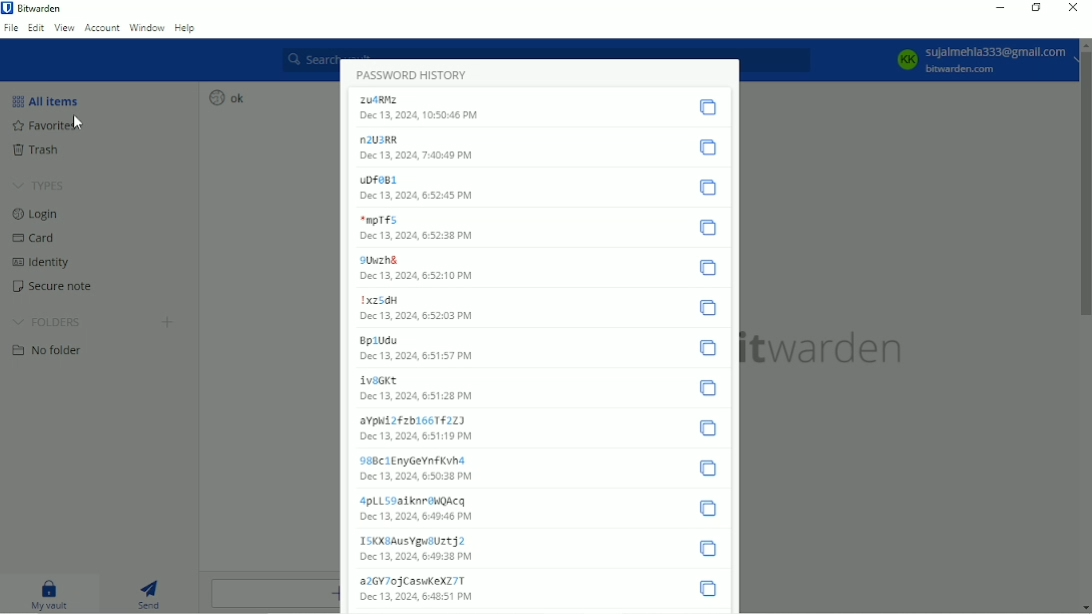 This screenshot has height=614, width=1092. Describe the element at coordinates (151, 593) in the screenshot. I see `Send` at that location.